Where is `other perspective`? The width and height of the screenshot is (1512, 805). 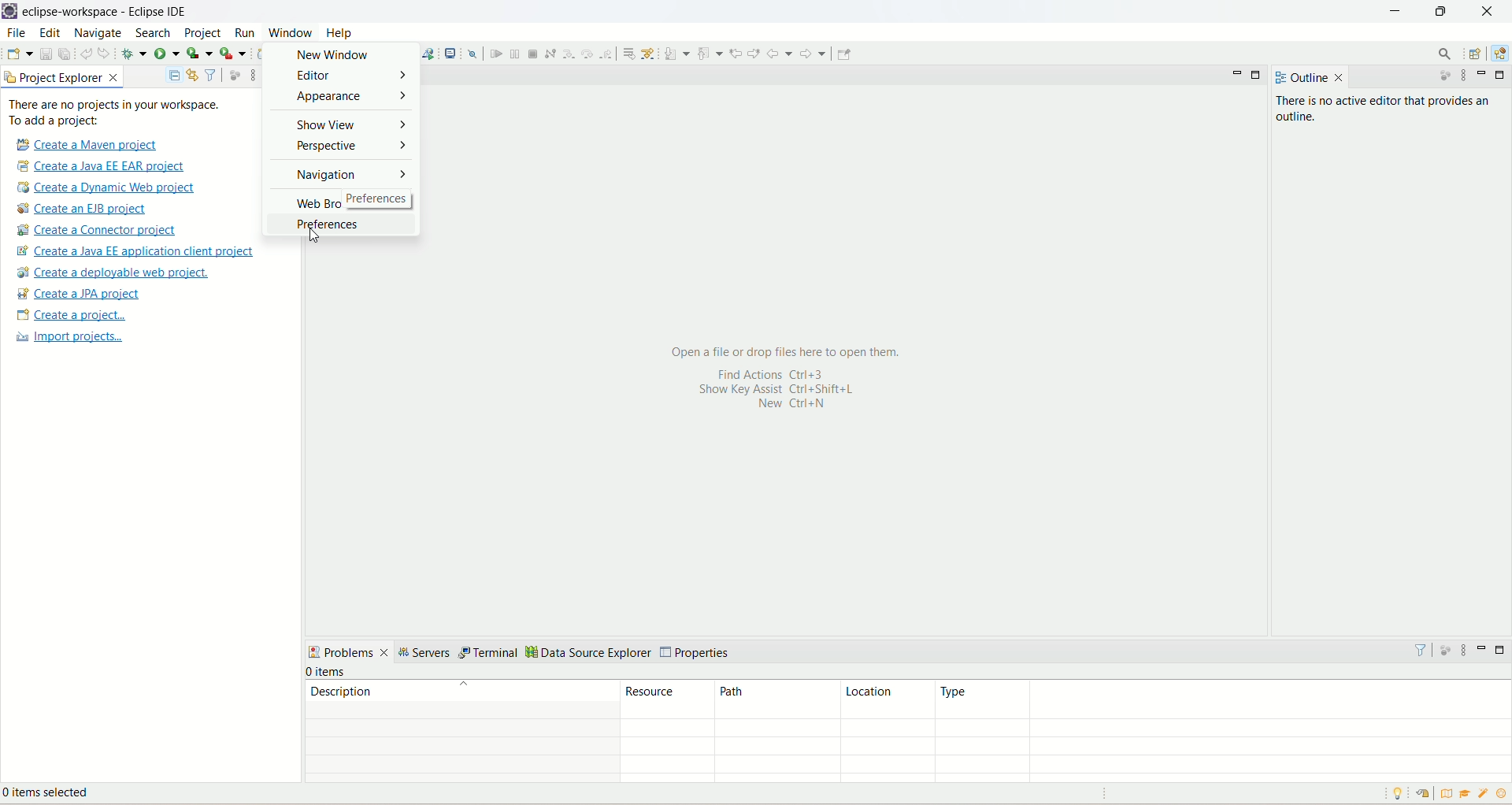 other perspective is located at coordinates (1477, 54).